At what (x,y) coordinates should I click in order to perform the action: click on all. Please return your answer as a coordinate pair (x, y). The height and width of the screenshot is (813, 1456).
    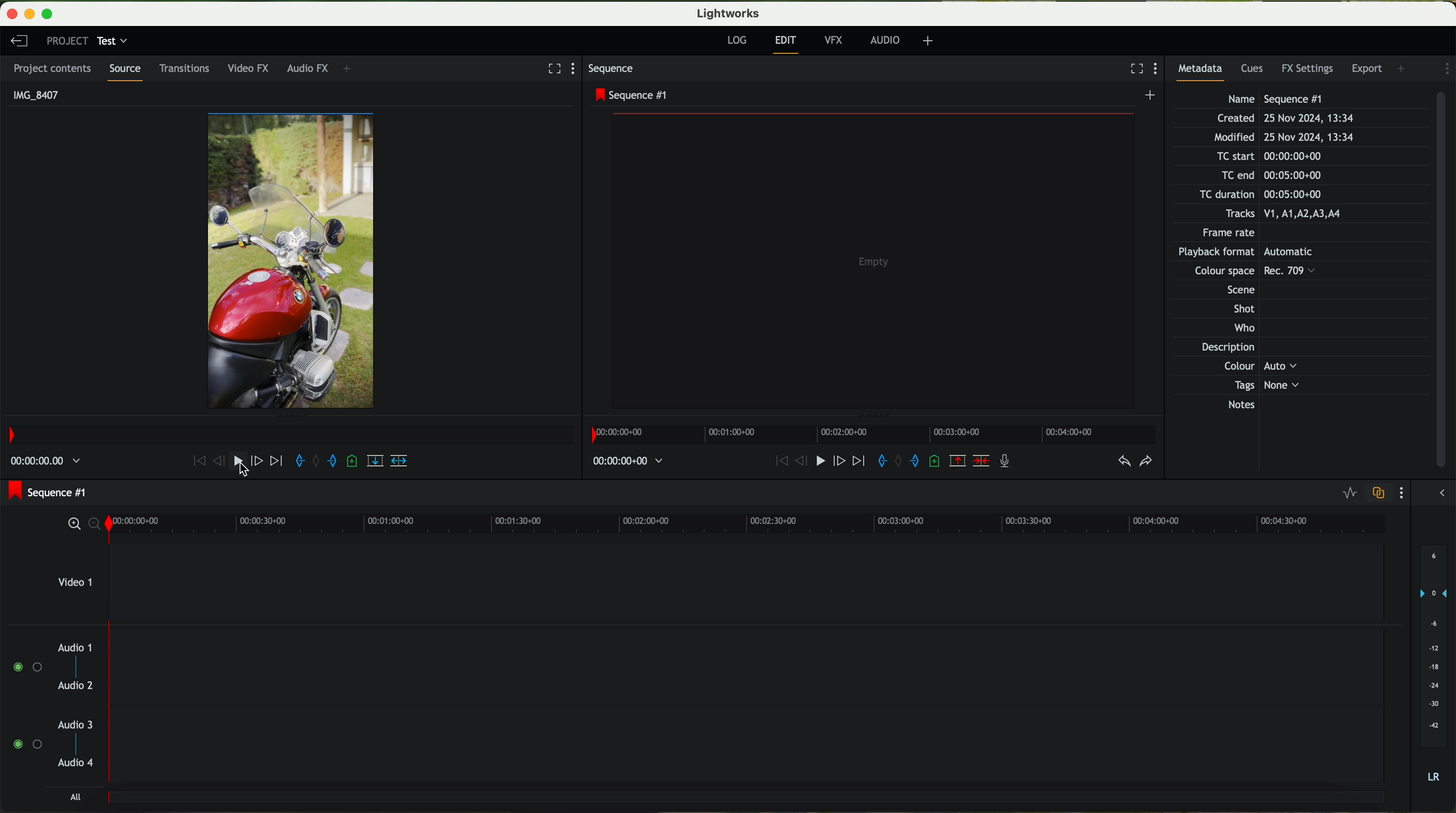
    Looking at the image, I should click on (77, 798).